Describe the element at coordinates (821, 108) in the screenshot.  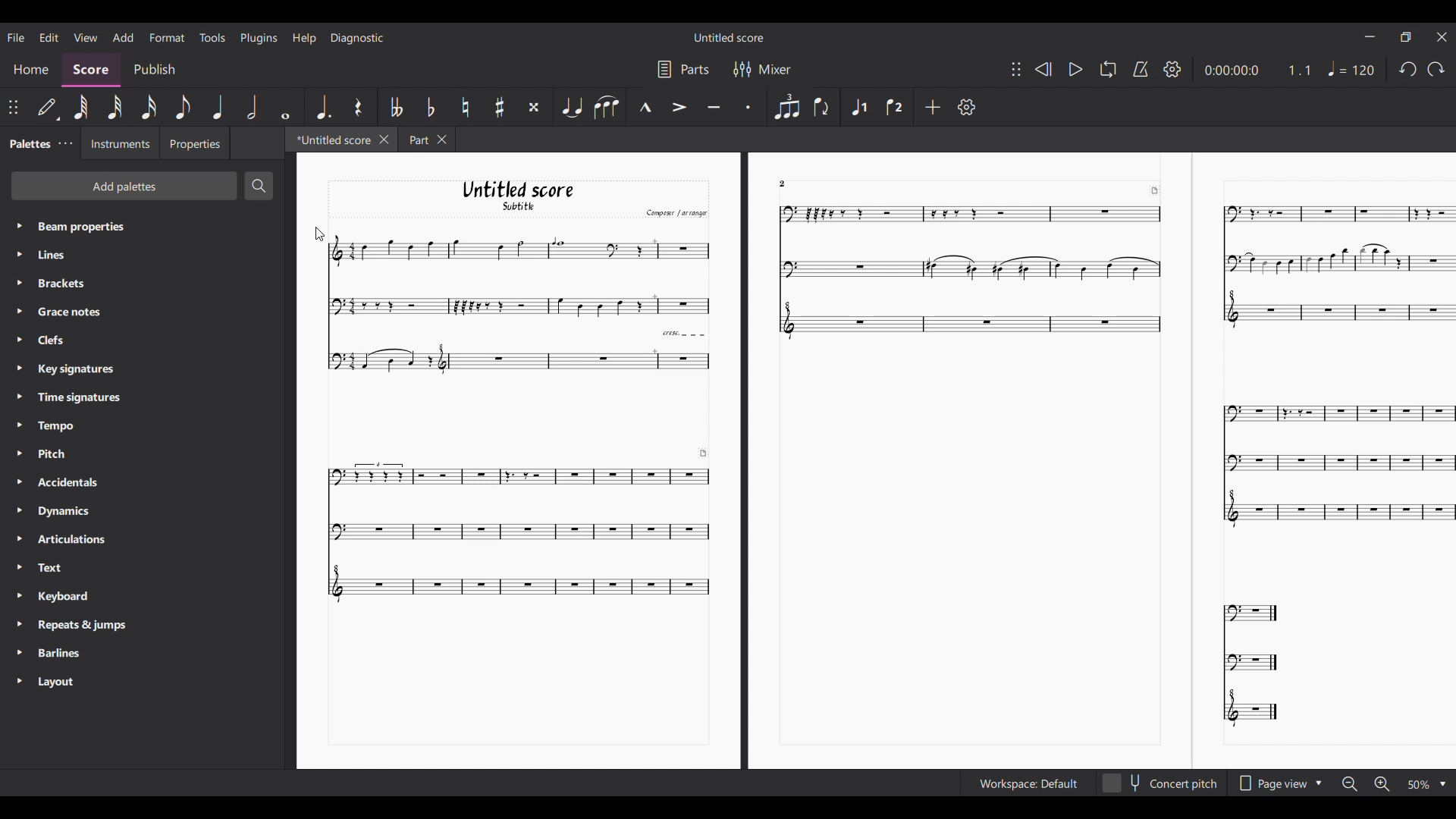
I see `Flip direction` at that location.